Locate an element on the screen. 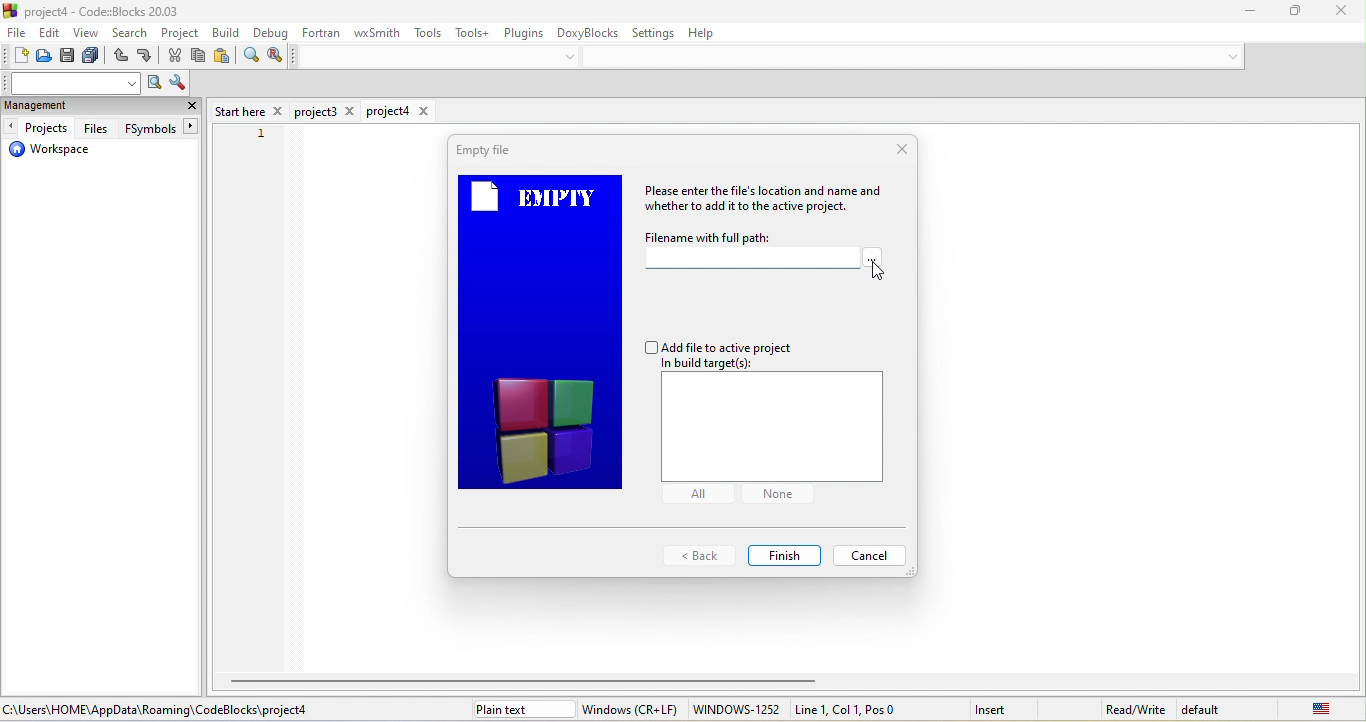 The image size is (1366, 722). default is located at coordinates (1208, 708).